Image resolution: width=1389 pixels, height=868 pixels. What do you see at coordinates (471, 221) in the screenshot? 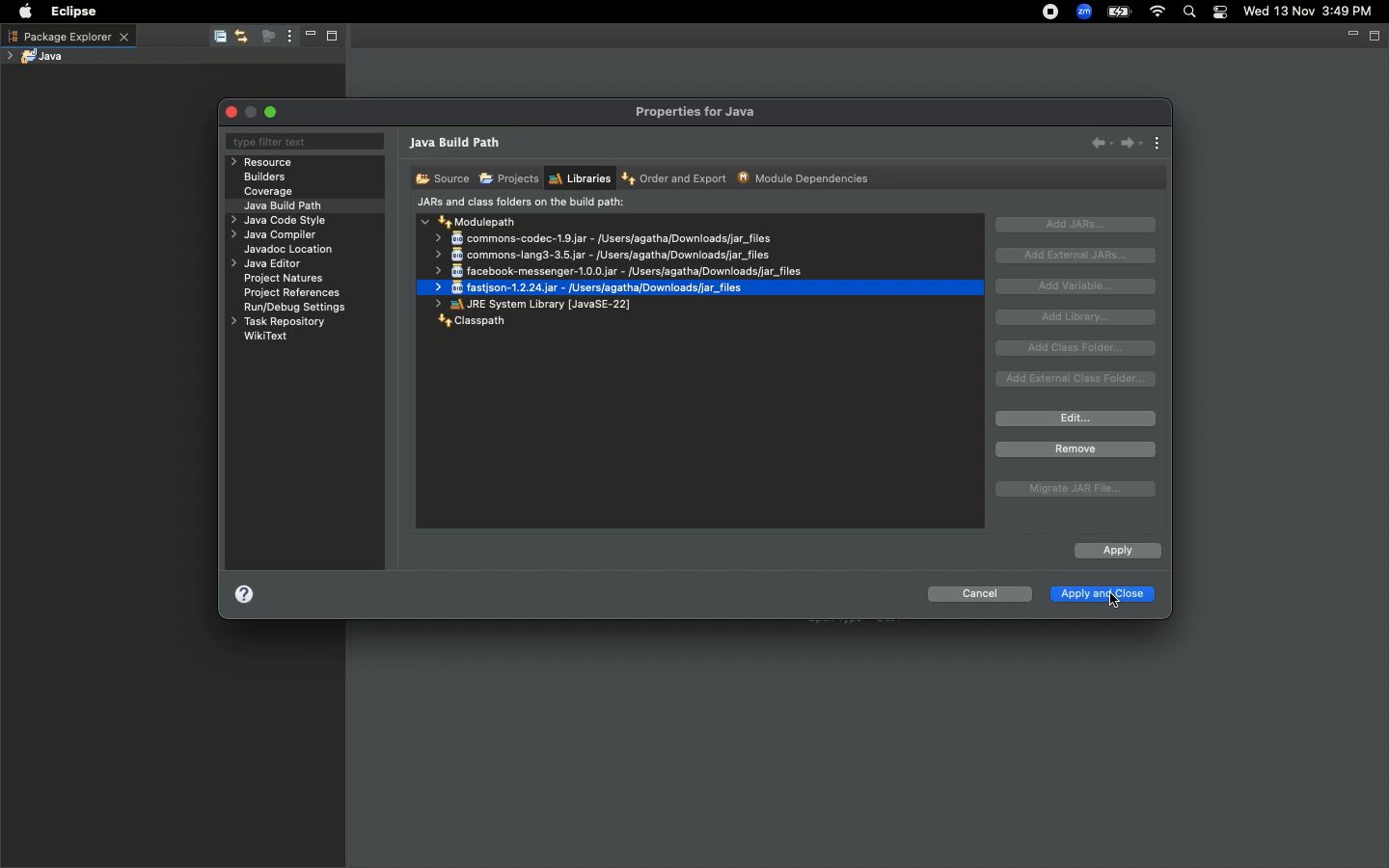
I see `Modulepath` at bounding box center [471, 221].